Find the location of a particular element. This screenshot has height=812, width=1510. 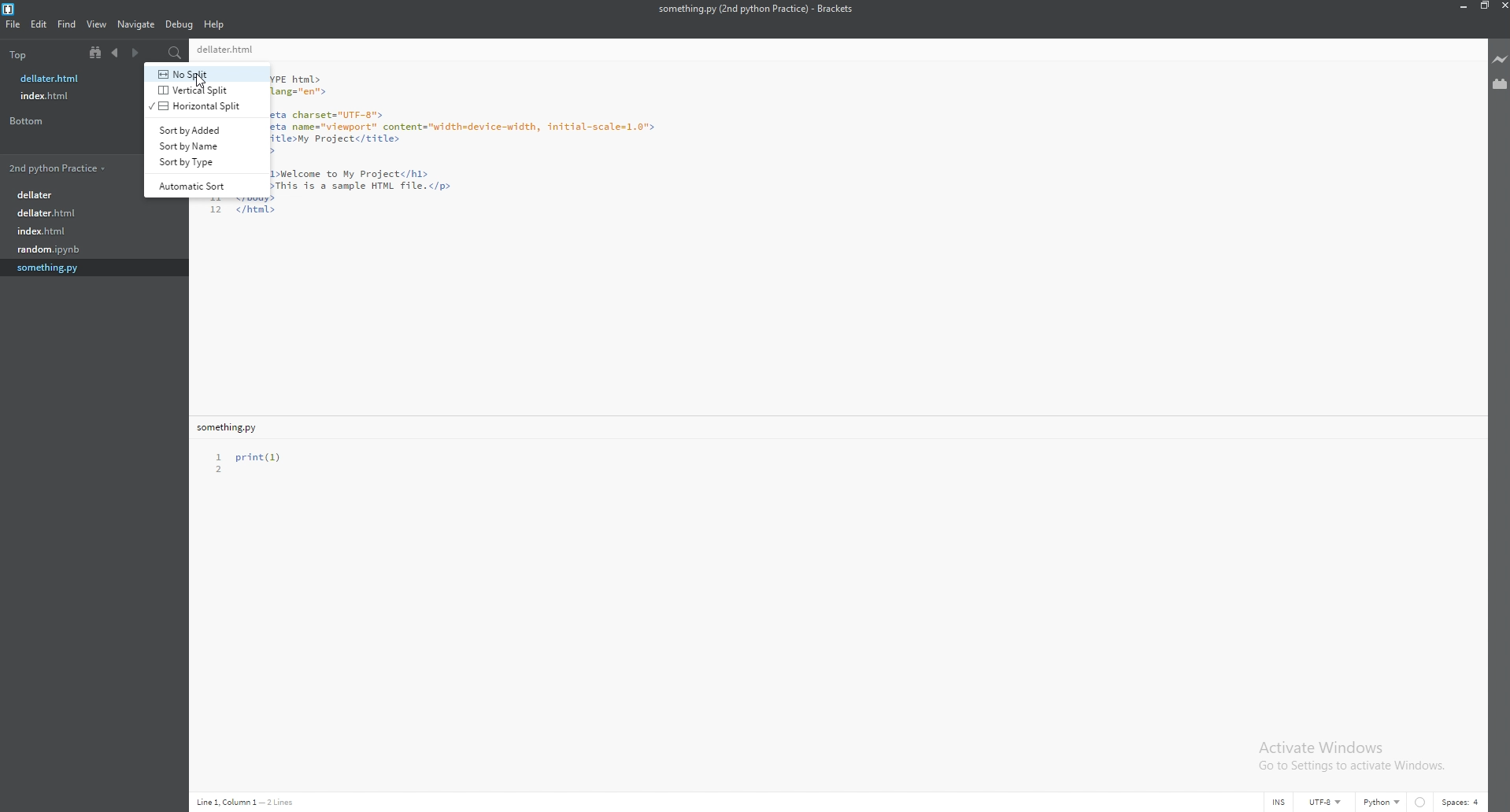

File name is located at coordinates (221, 46).